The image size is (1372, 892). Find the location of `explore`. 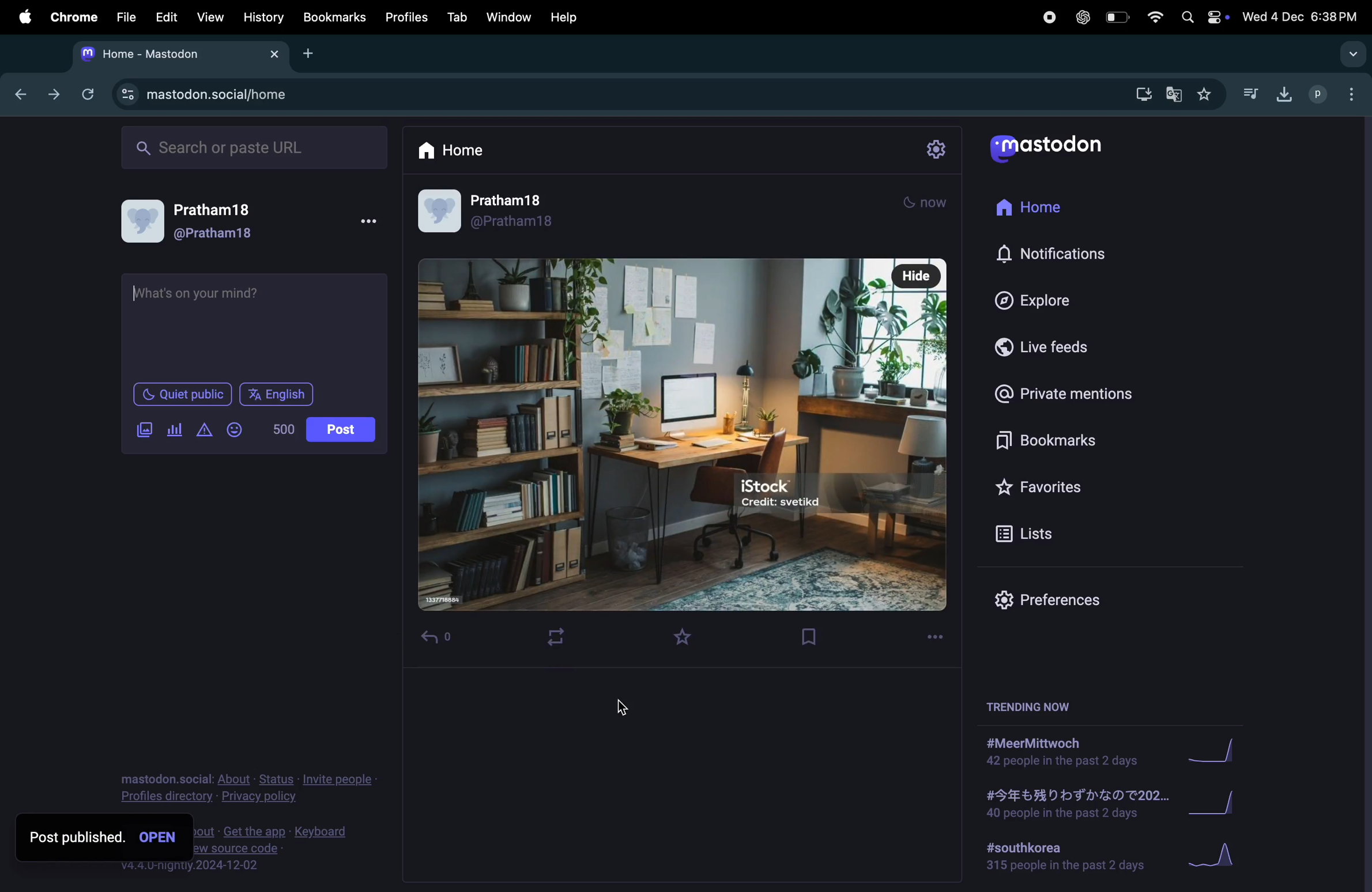

explore is located at coordinates (1044, 303).